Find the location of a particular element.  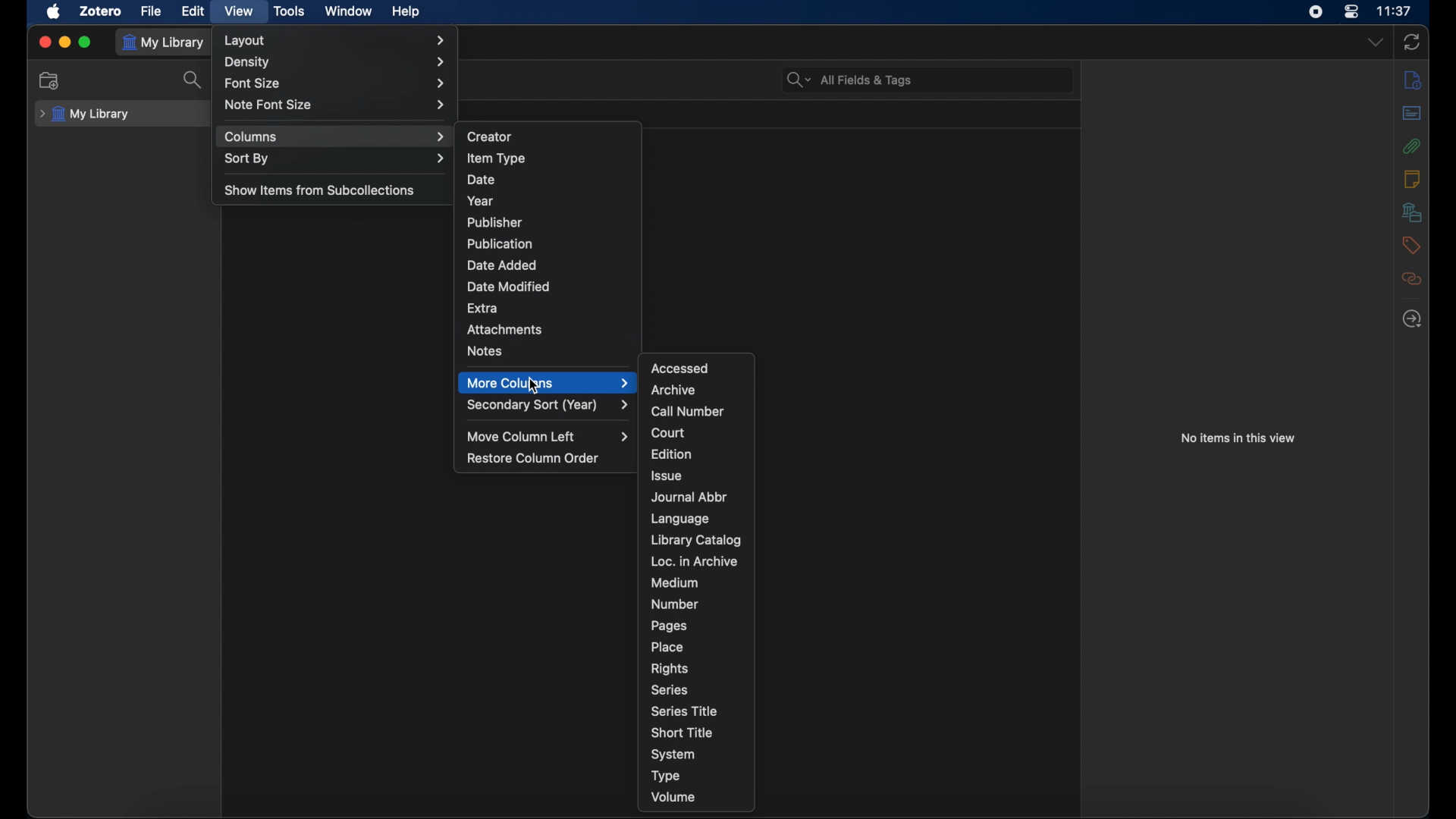

new collection is located at coordinates (52, 80).